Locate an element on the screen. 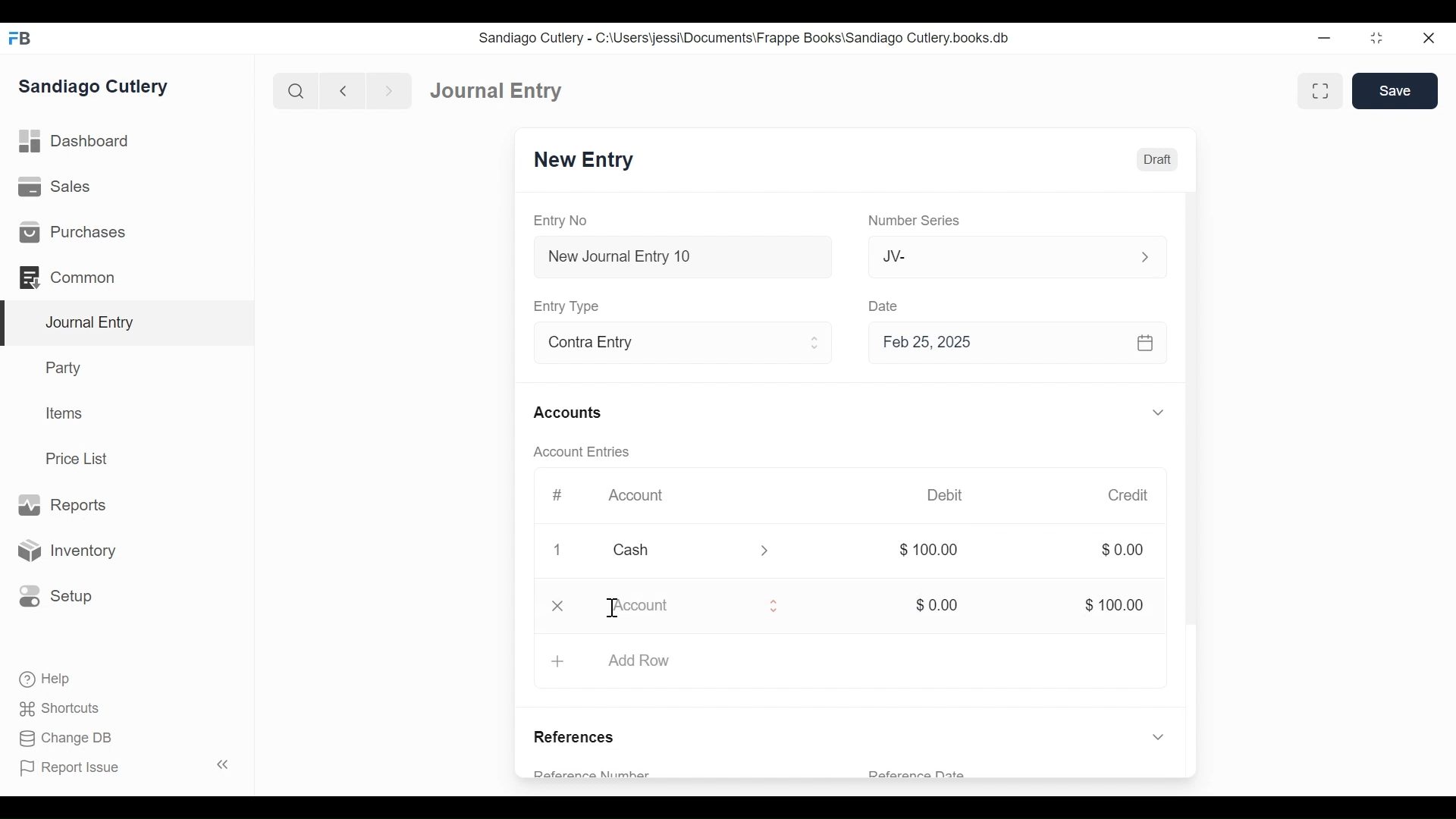  Draft is located at coordinates (1158, 160).